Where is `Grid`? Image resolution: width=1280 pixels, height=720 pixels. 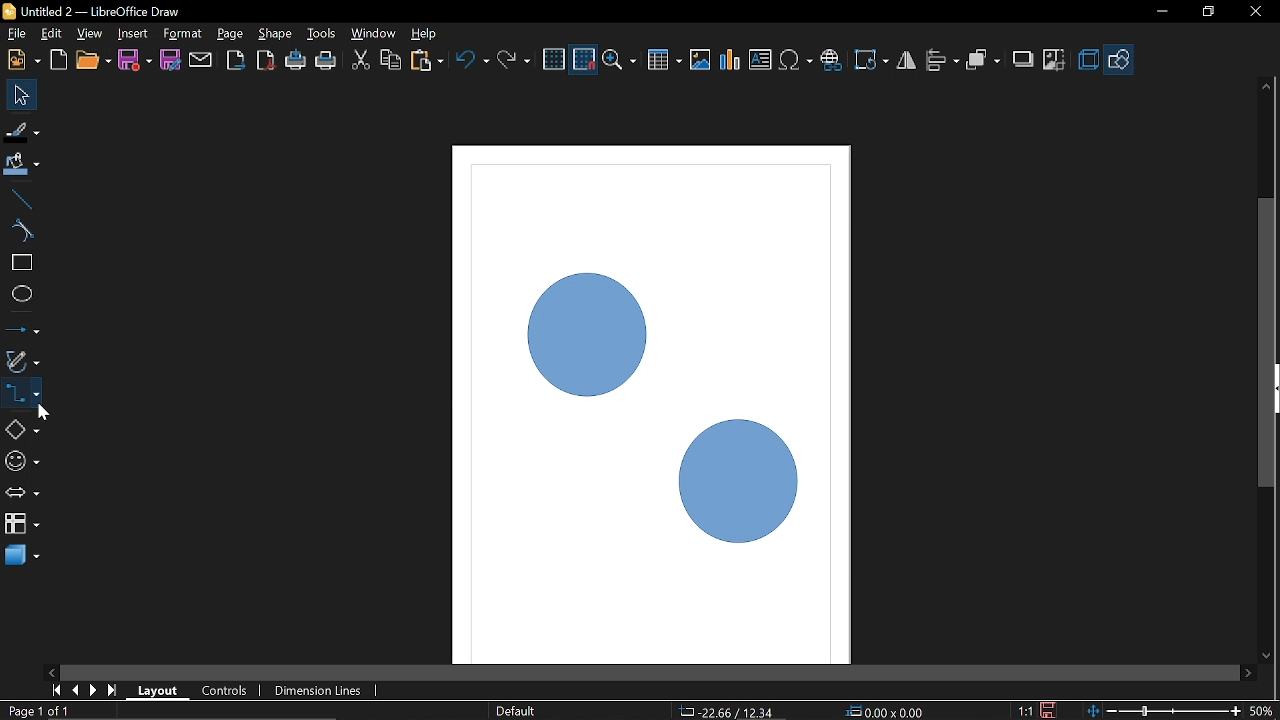 Grid is located at coordinates (554, 60).